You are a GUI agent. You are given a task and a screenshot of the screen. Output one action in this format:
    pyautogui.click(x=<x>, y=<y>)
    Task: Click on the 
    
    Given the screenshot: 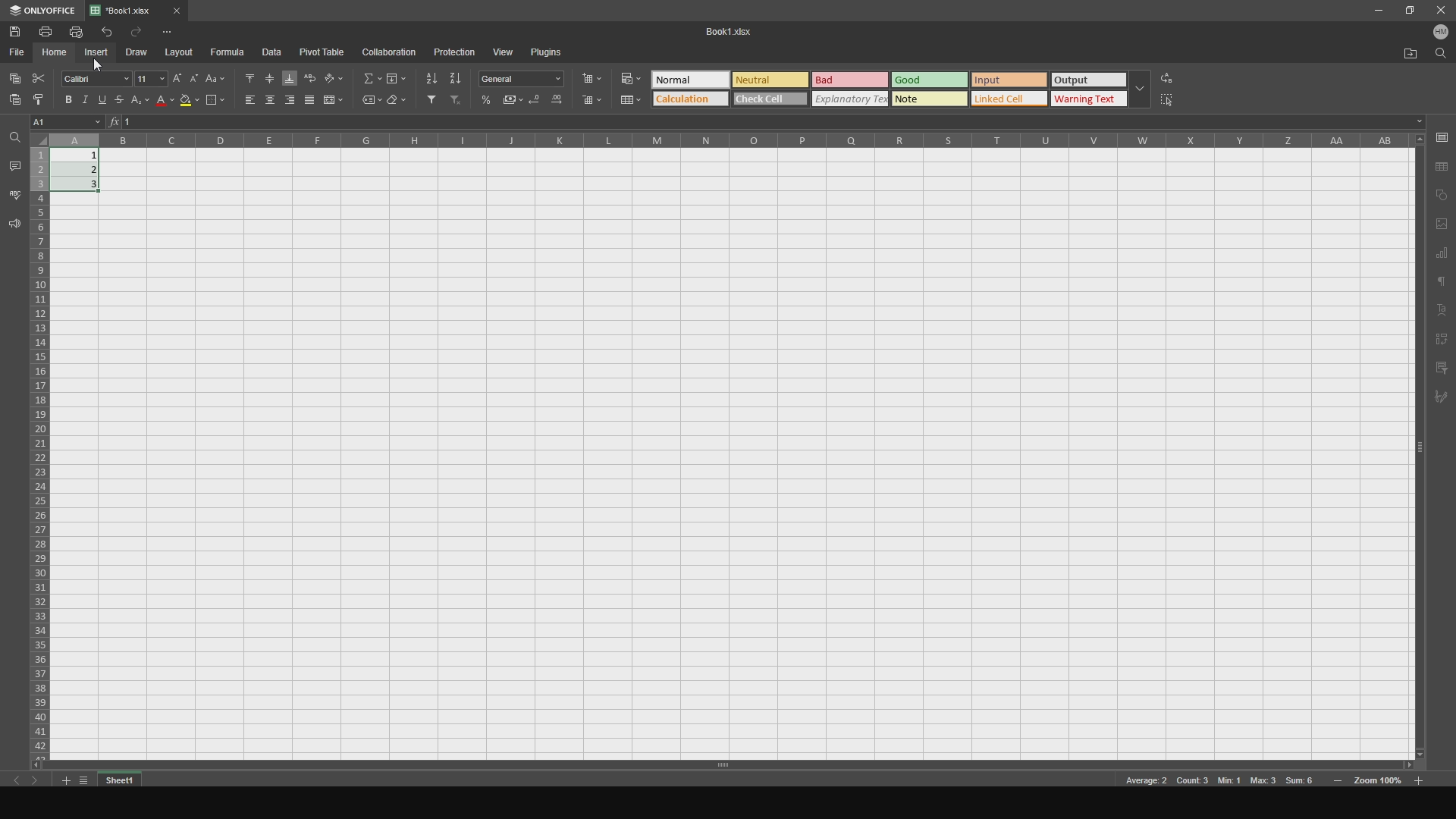 What is the action you would take?
    pyautogui.click(x=488, y=99)
    